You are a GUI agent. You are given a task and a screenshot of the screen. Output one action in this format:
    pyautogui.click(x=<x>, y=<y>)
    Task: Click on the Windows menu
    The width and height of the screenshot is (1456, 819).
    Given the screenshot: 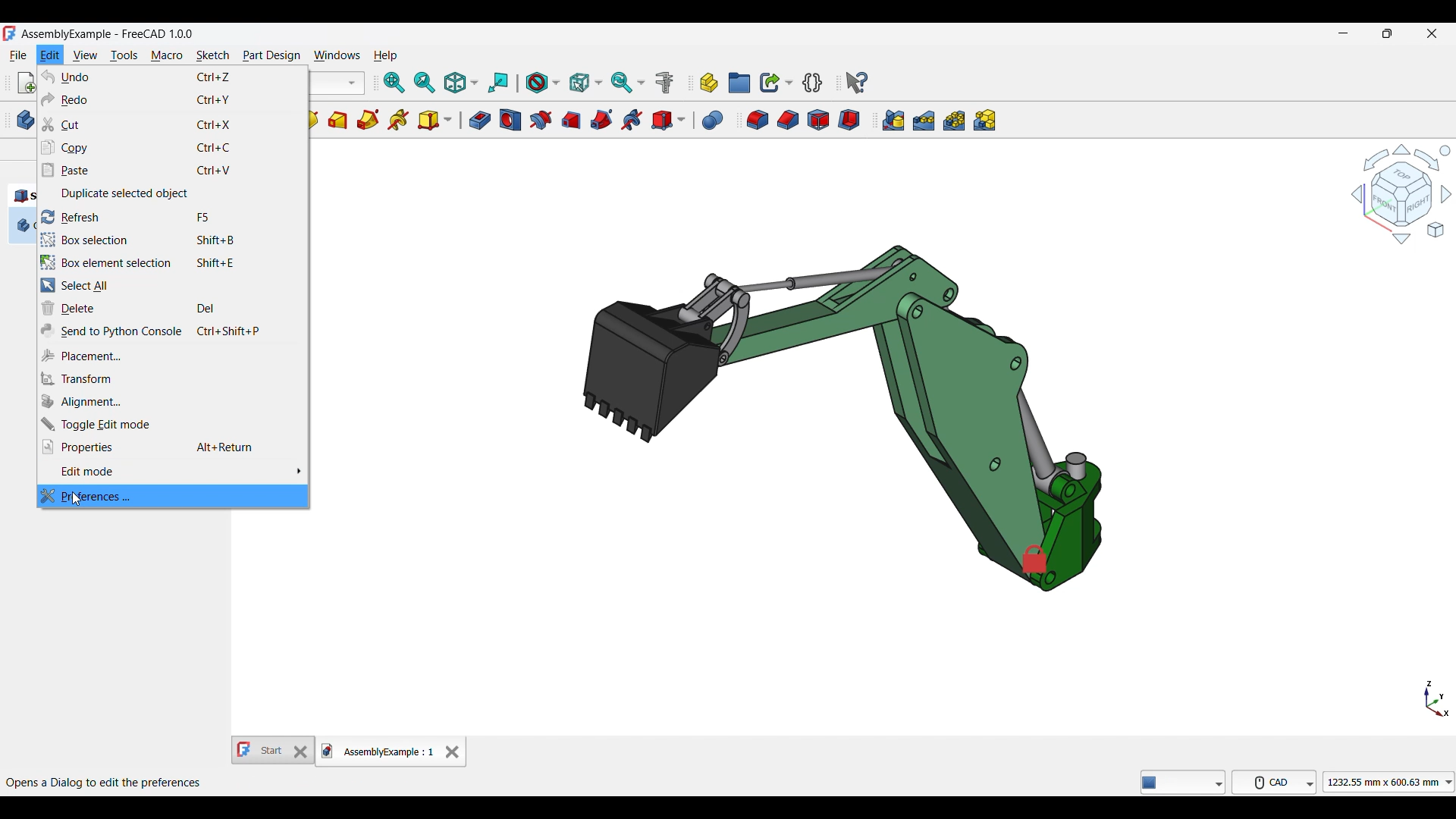 What is the action you would take?
    pyautogui.click(x=337, y=56)
    